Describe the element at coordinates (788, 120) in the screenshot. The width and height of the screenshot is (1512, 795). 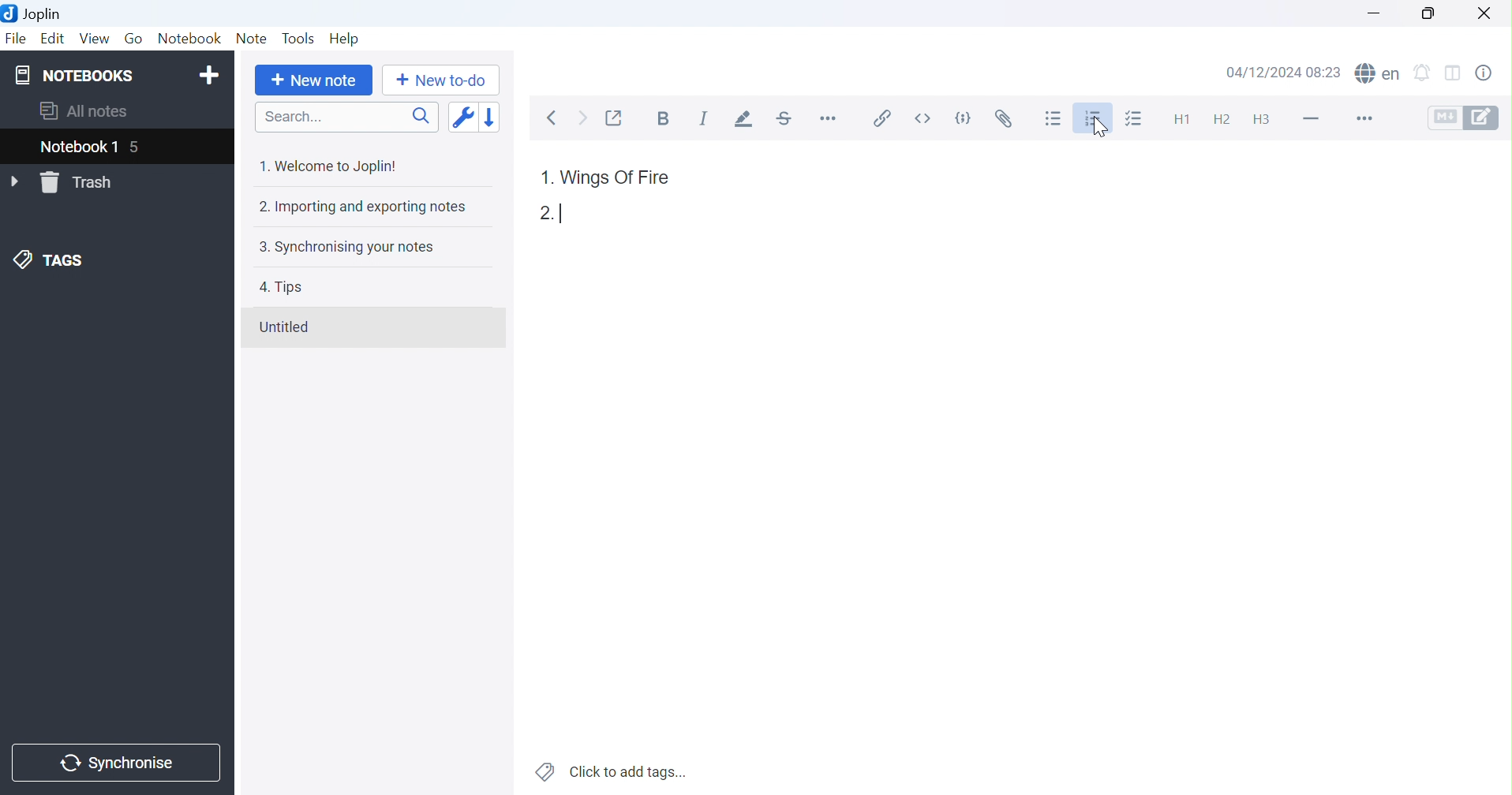
I see `Strikethrough` at that location.